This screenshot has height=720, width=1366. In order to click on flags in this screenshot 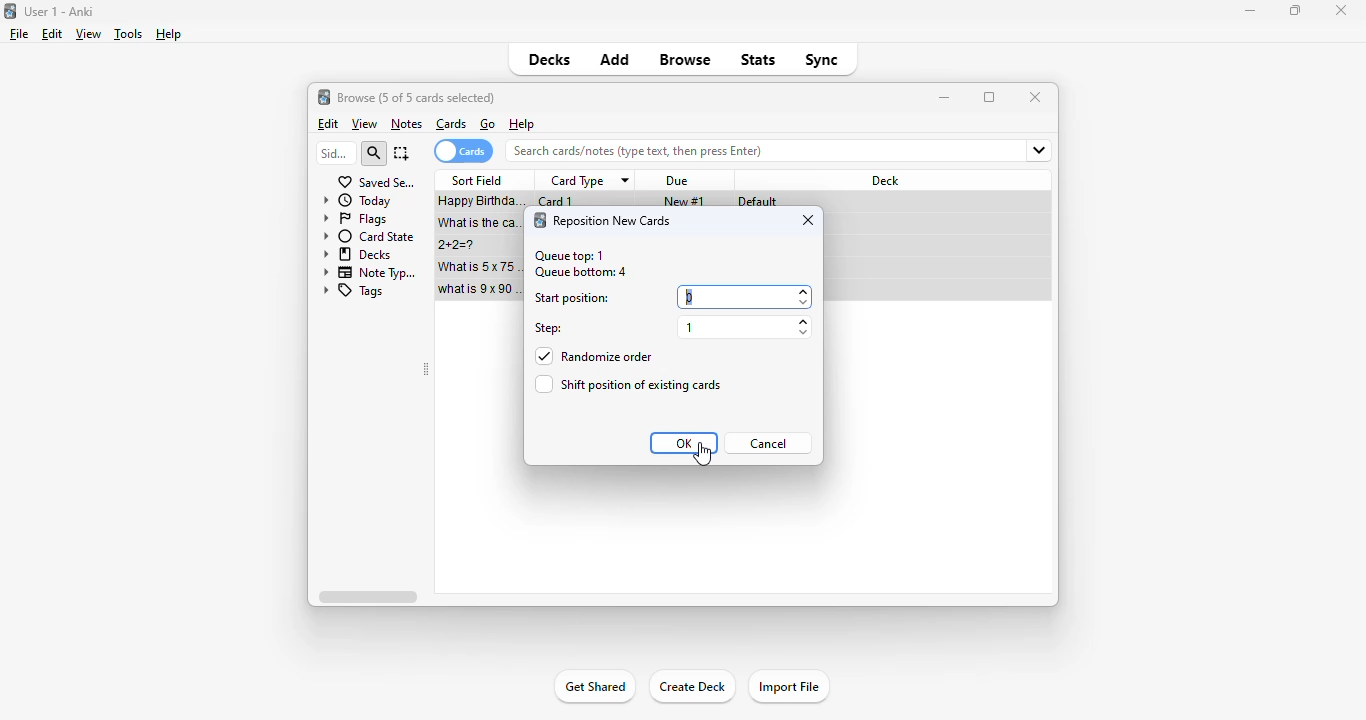, I will do `click(355, 219)`.